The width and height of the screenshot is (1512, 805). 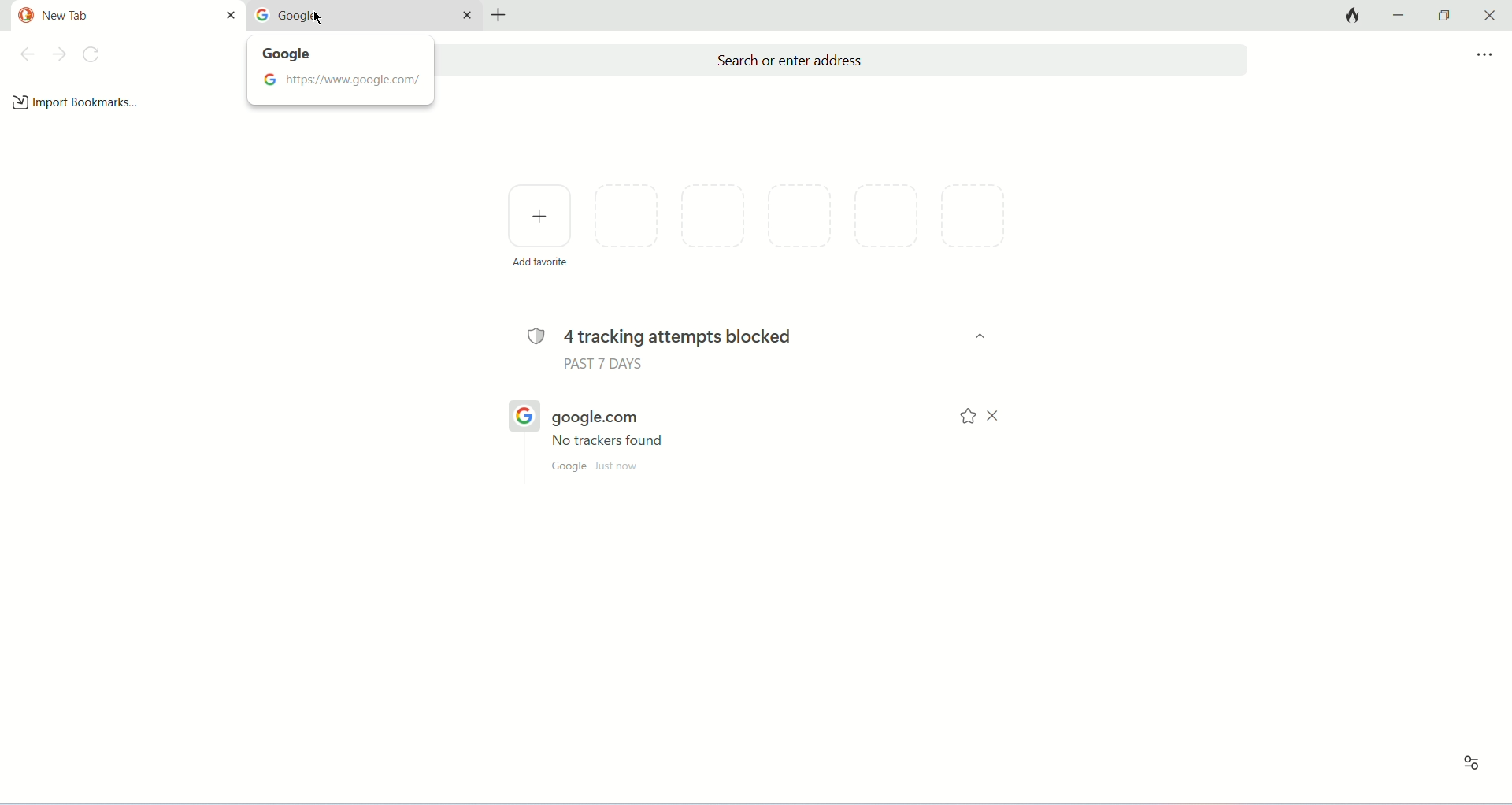 I want to click on mouse cursor, so click(x=321, y=19).